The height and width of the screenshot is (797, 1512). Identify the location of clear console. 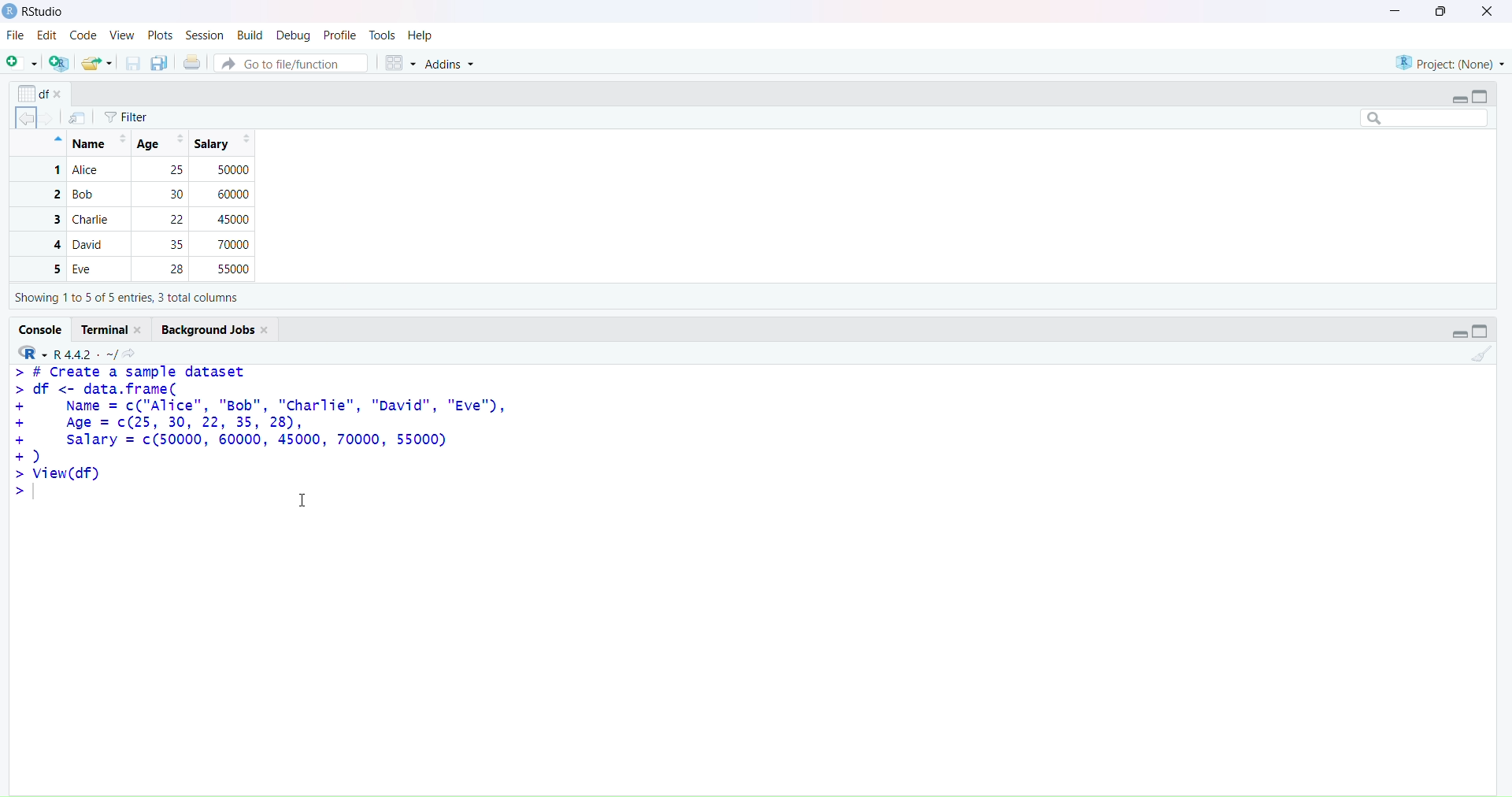
(1483, 354).